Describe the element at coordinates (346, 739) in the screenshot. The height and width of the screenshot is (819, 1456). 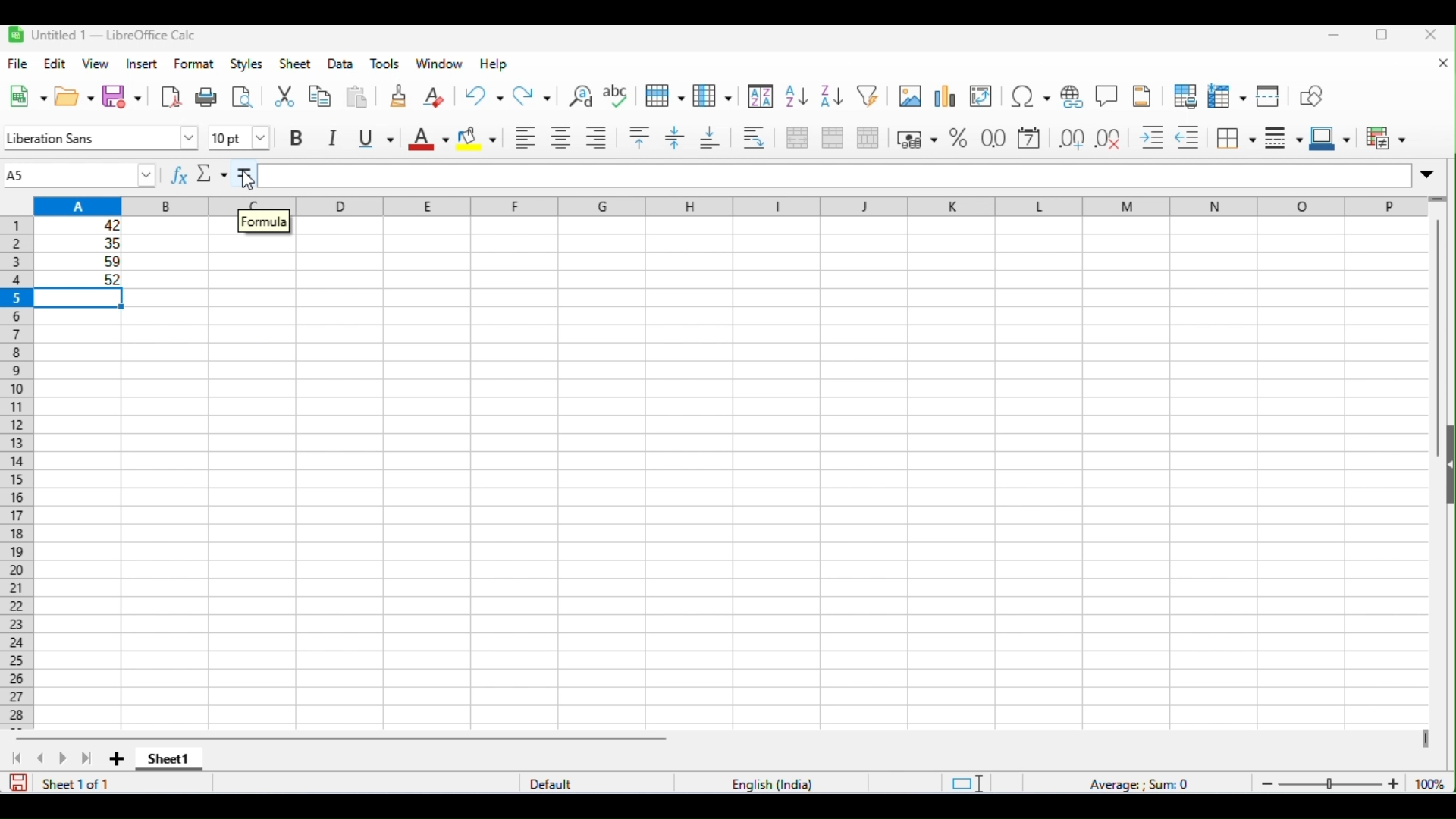
I see `horizontal scroll bar` at that location.